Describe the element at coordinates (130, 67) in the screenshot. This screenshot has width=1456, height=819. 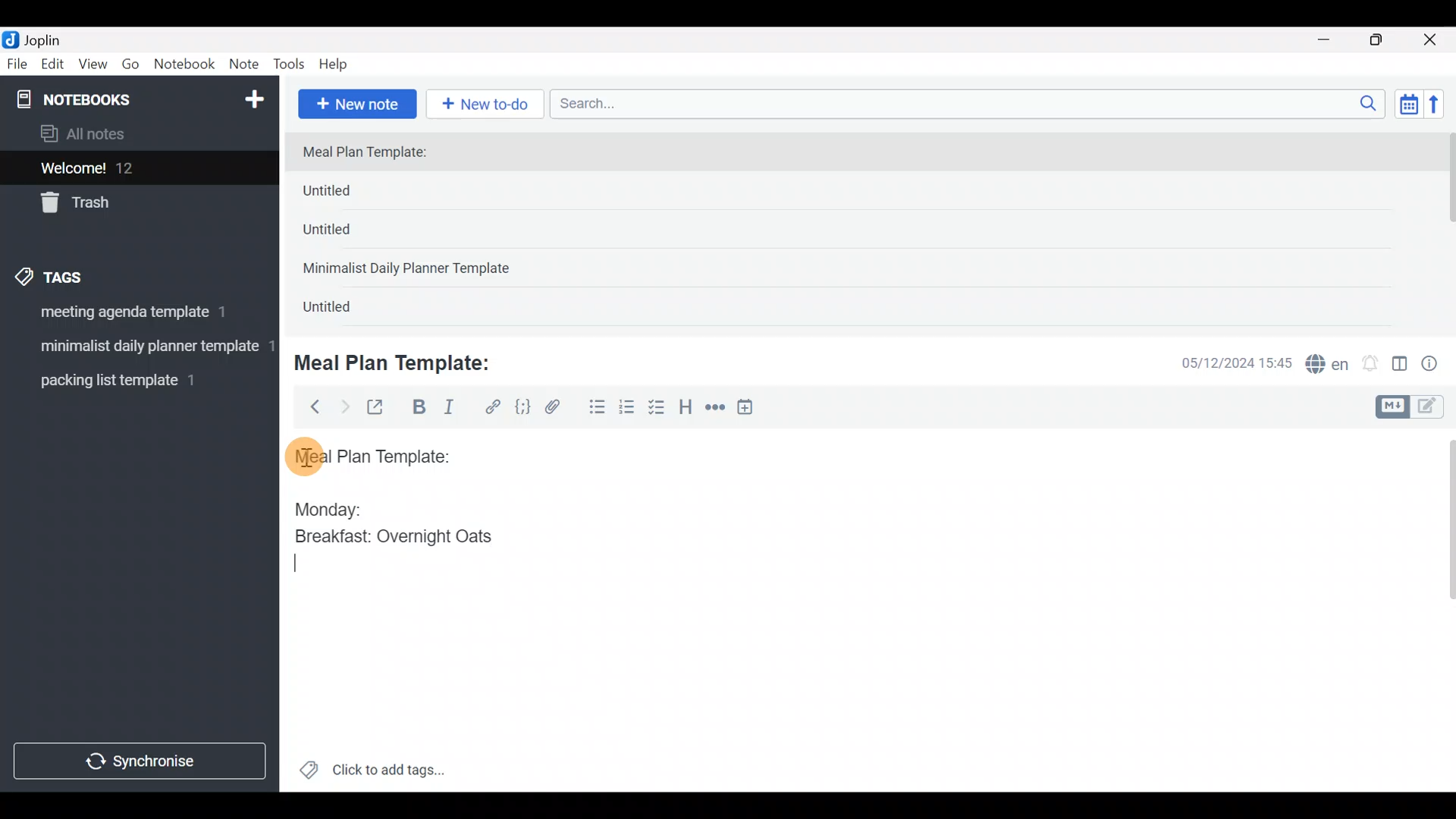
I see `Go` at that location.